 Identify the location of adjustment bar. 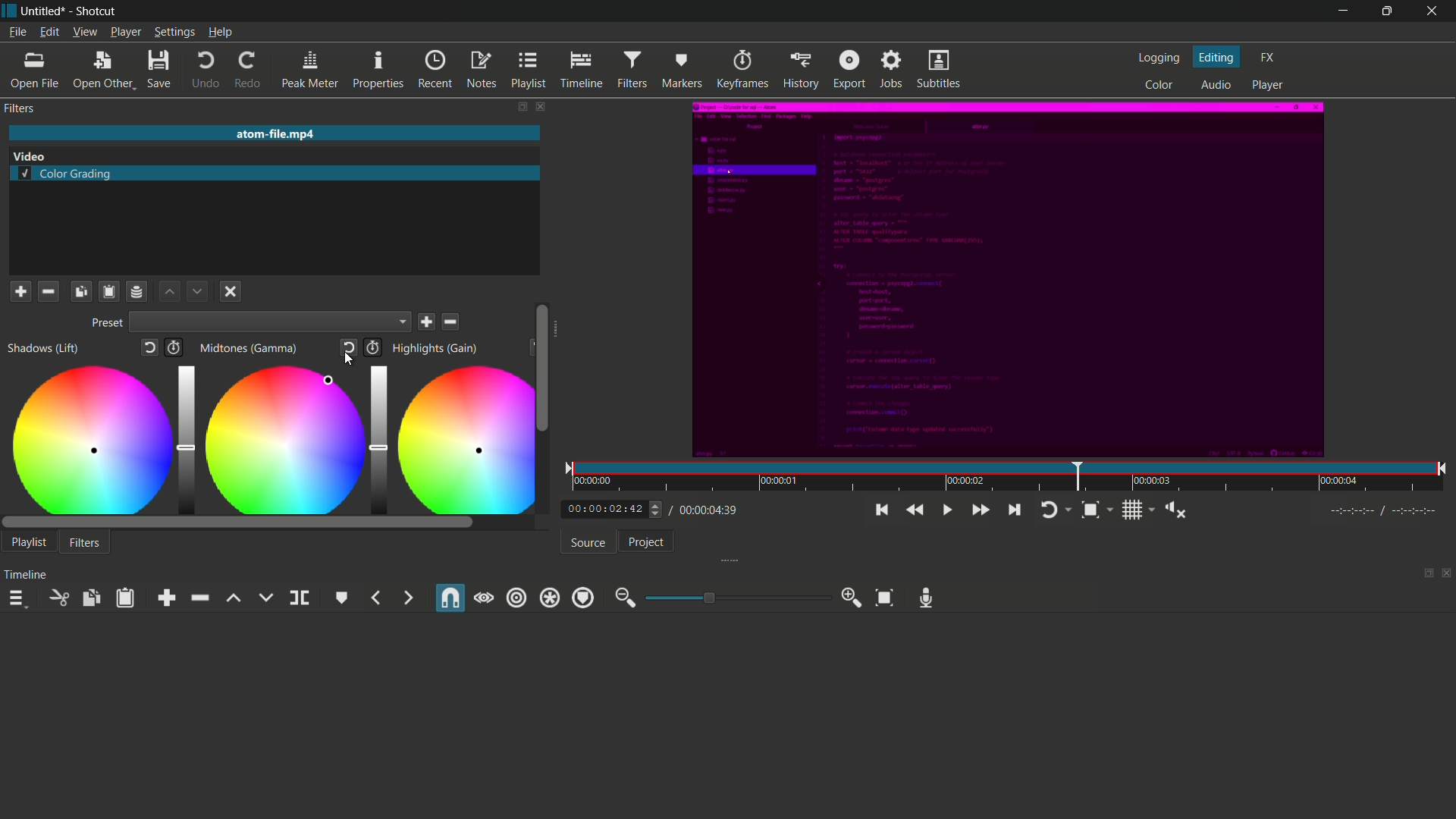
(734, 598).